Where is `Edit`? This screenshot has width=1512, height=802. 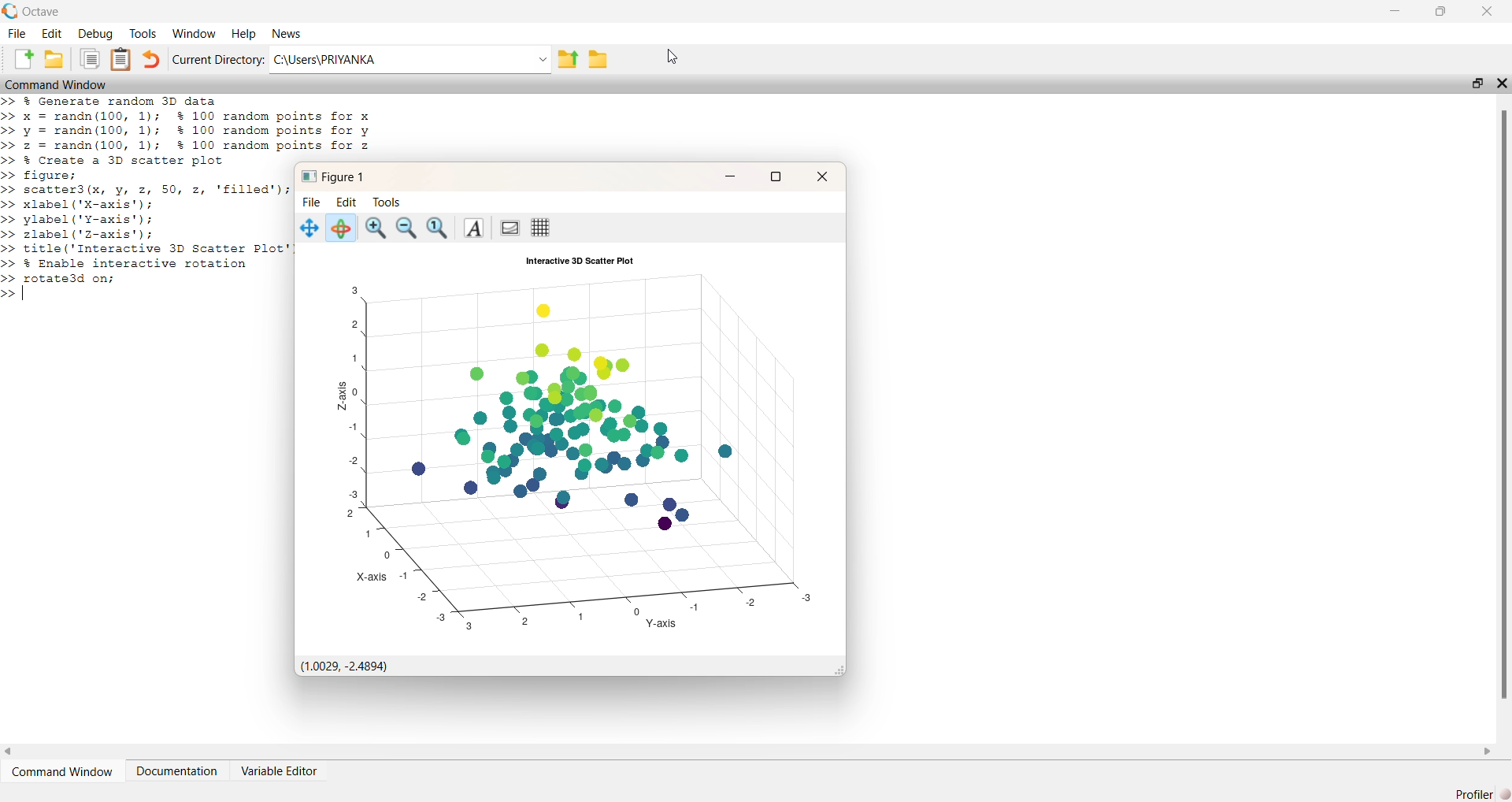
Edit is located at coordinates (346, 202).